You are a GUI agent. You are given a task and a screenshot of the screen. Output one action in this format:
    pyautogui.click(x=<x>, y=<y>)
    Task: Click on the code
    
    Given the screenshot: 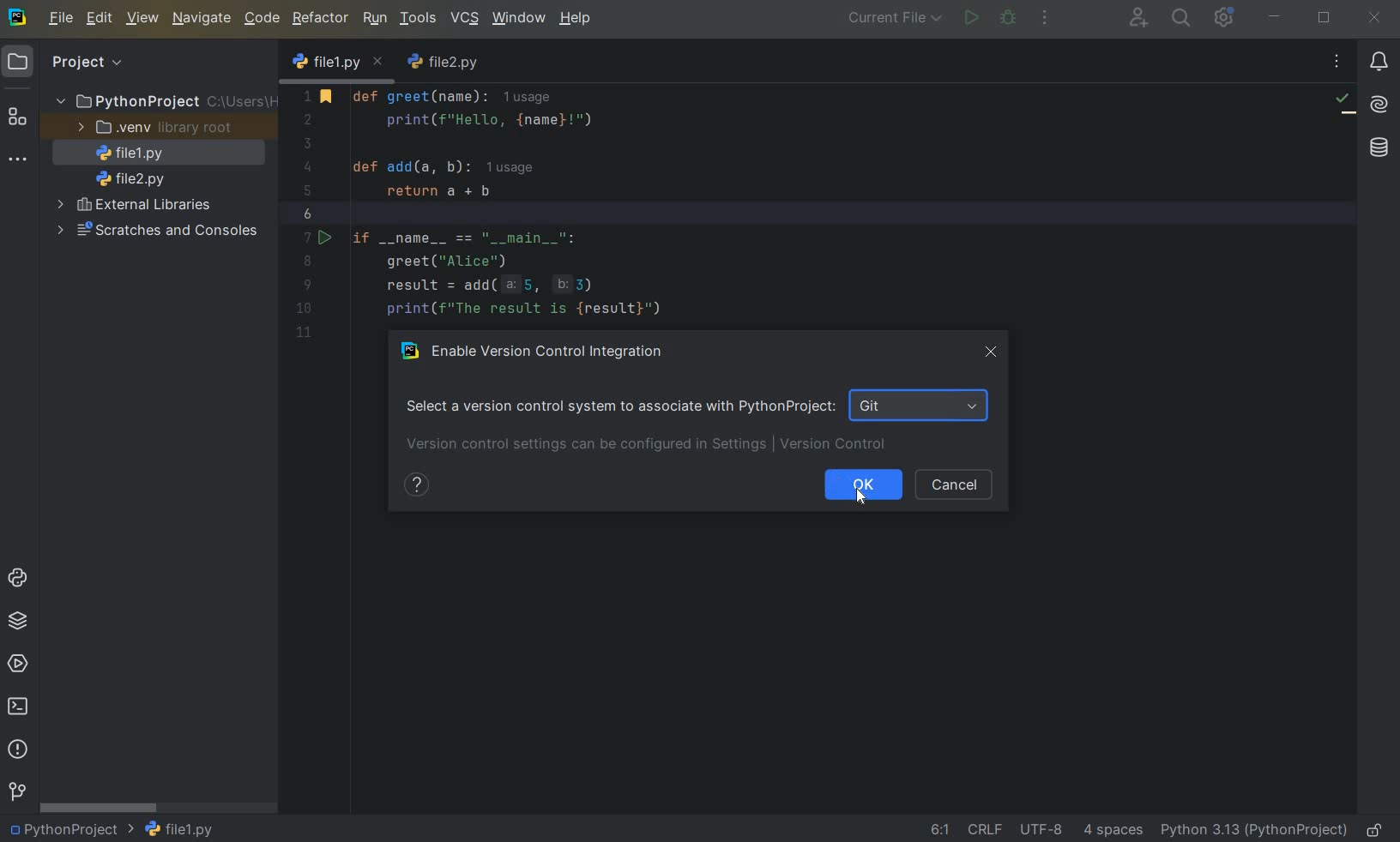 What is the action you would take?
    pyautogui.click(x=542, y=207)
    